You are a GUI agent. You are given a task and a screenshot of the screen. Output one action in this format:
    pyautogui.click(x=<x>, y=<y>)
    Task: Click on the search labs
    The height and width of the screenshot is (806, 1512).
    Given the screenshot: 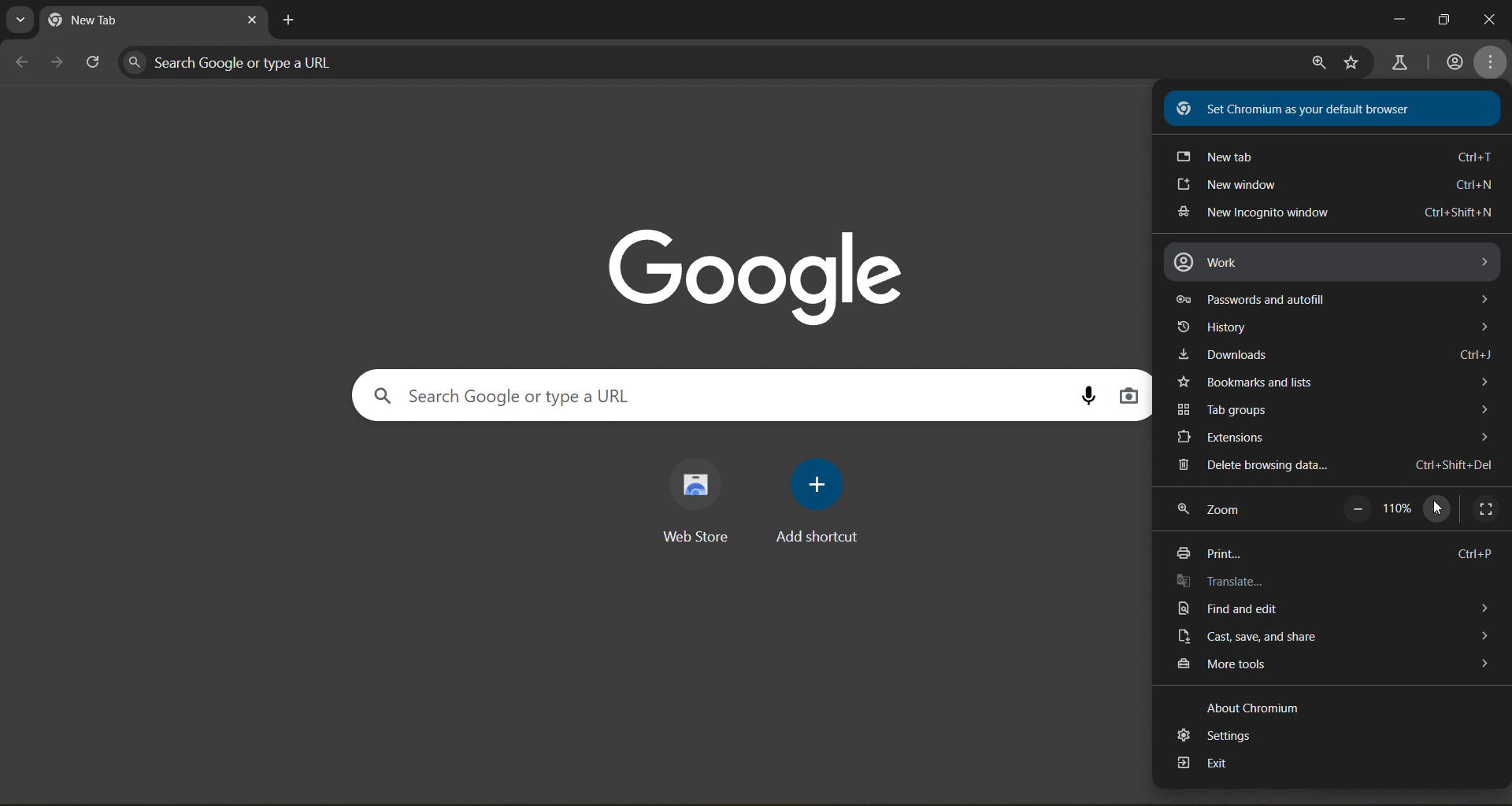 What is the action you would take?
    pyautogui.click(x=1400, y=61)
    